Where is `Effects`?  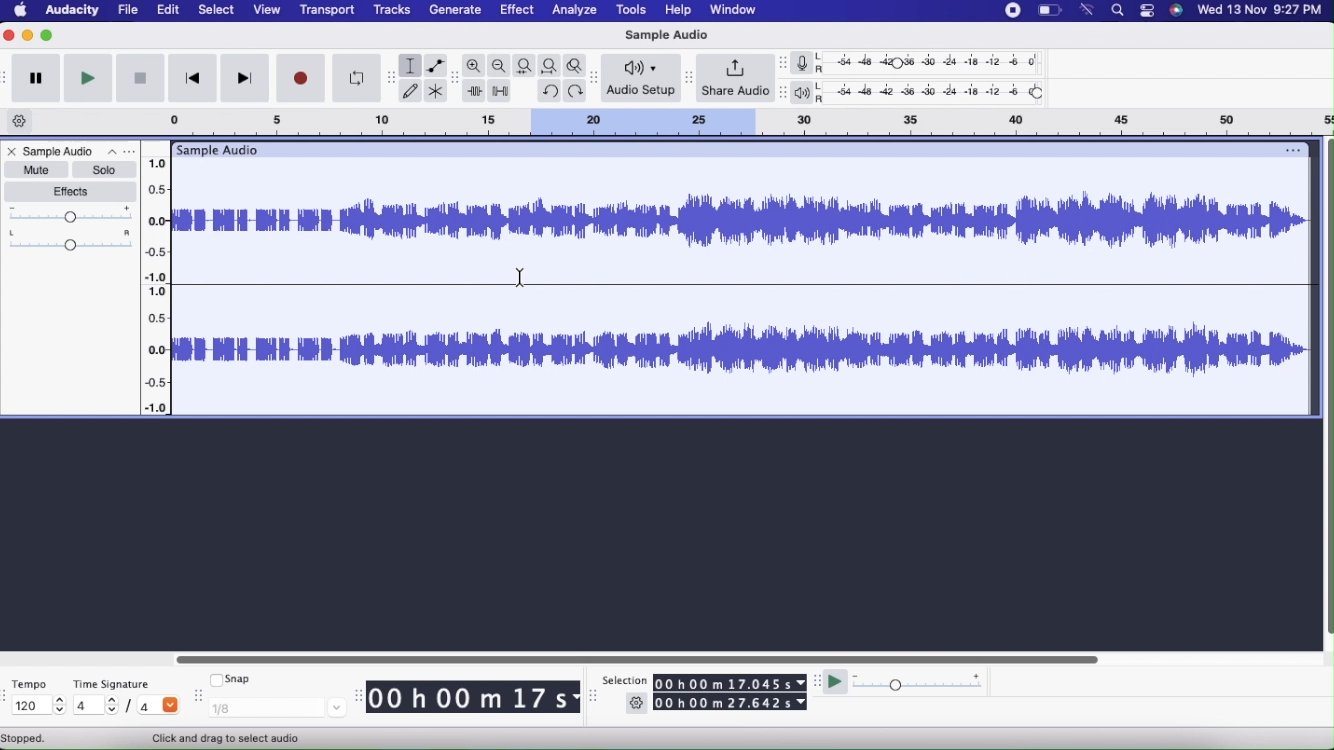
Effects is located at coordinates (73, 192).